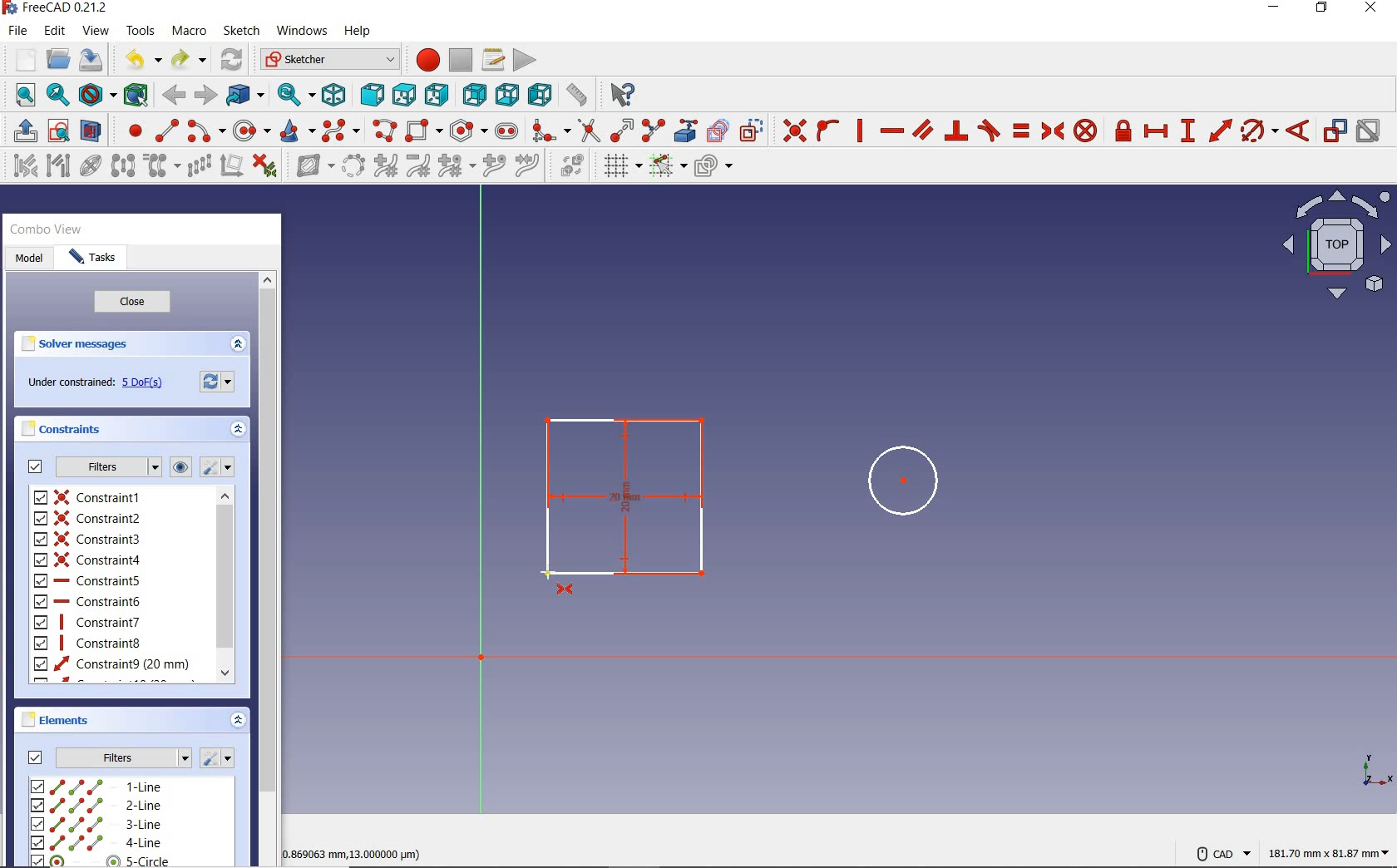 The height and width of the screenshot is (868, 1397). Describe the element at coordinates (175, 96) in the screenshot. I see `back` at that location.